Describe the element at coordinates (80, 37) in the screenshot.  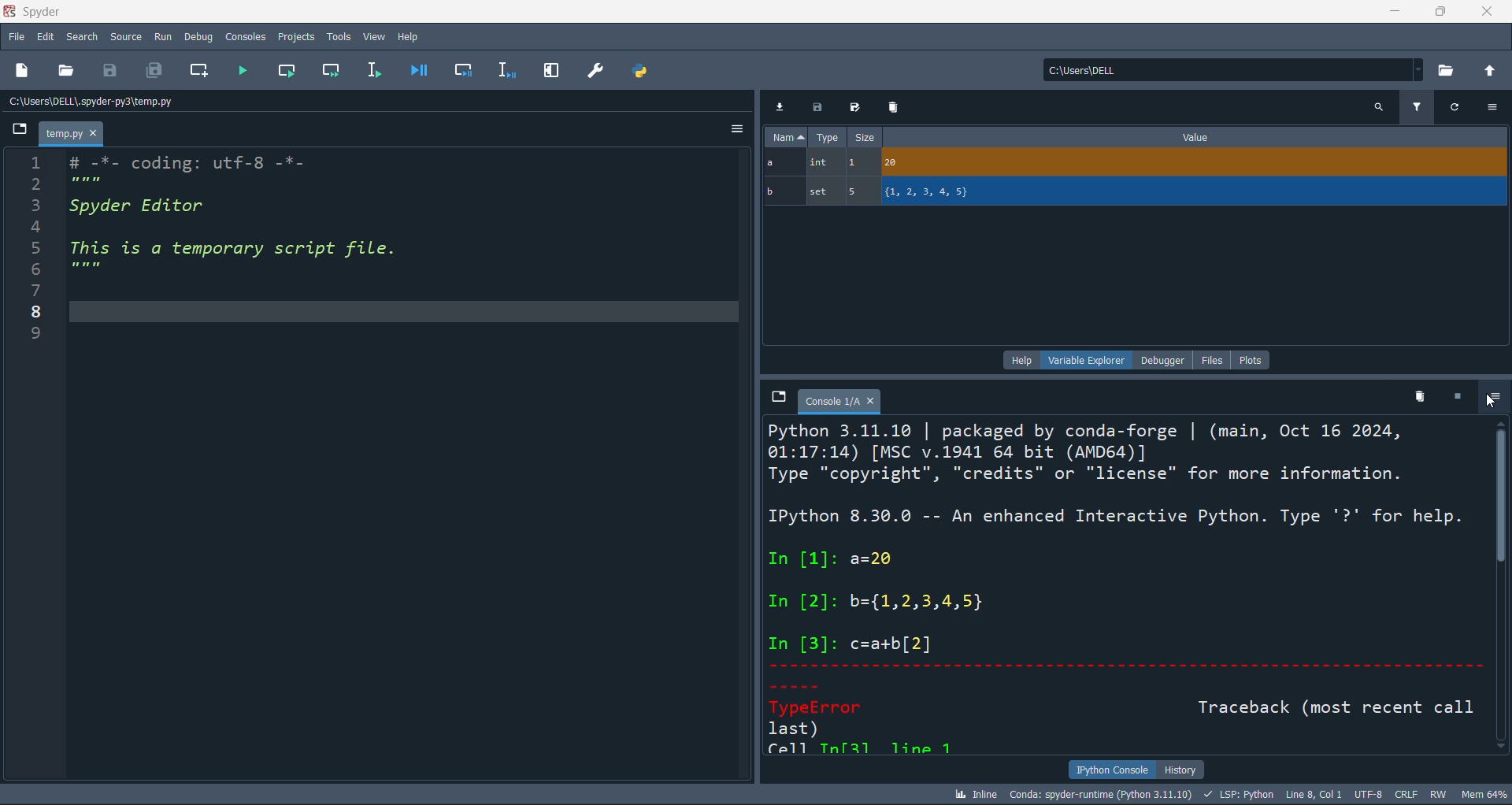
I see `search` at that location.